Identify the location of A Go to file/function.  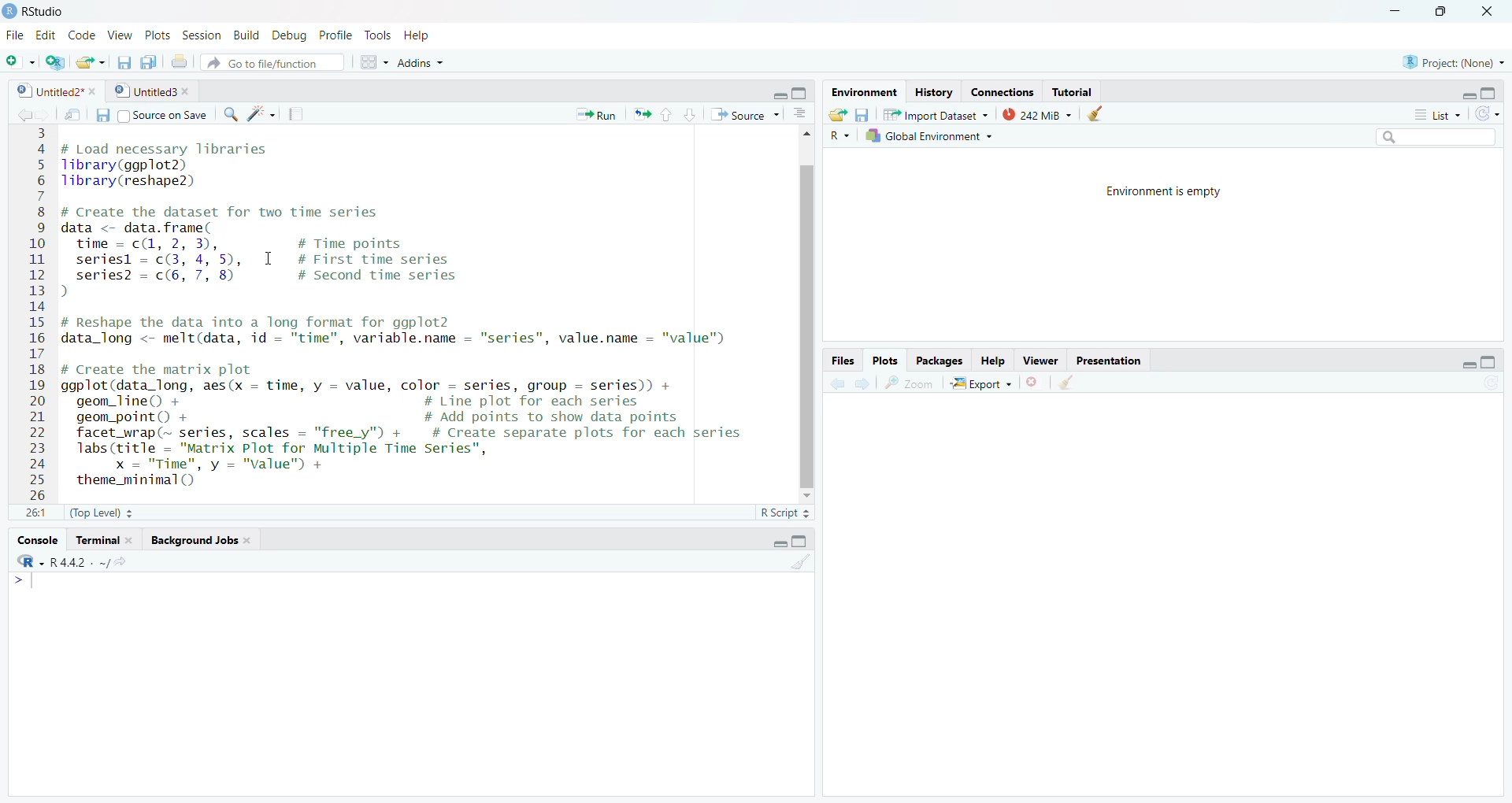
(272, 61).